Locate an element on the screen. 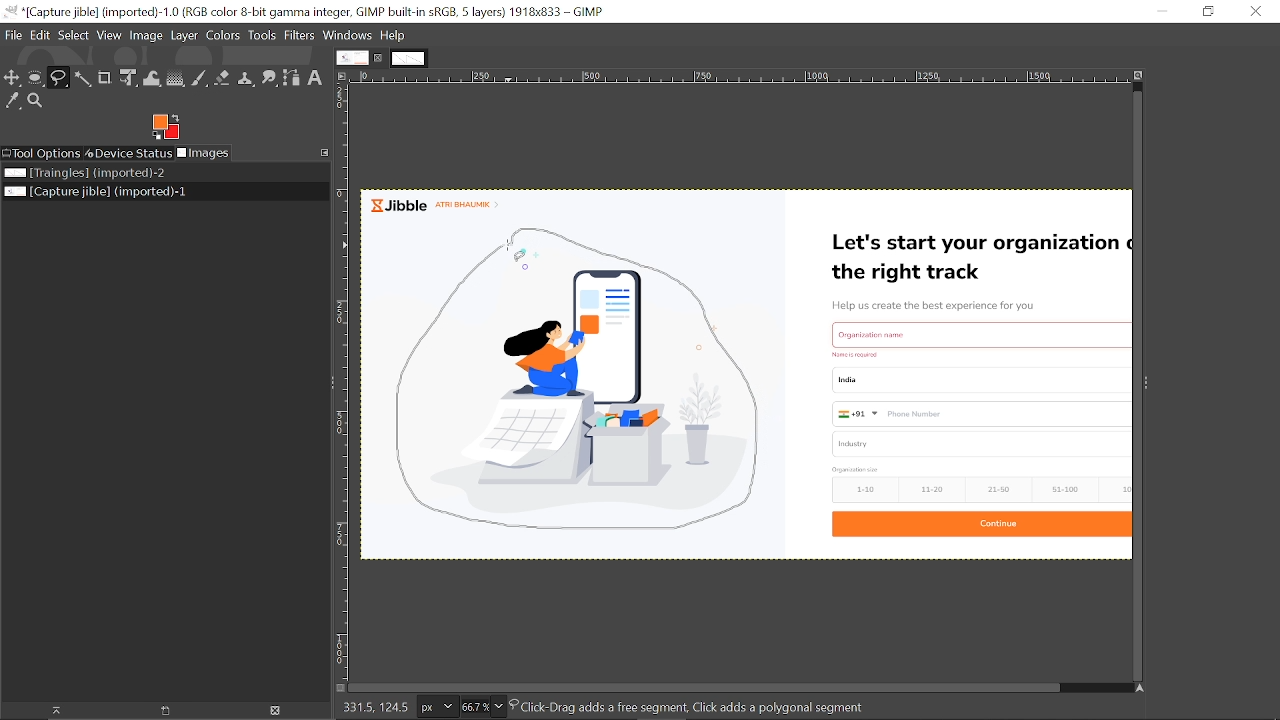  Smudge tool is located at coordinates (269, 79).